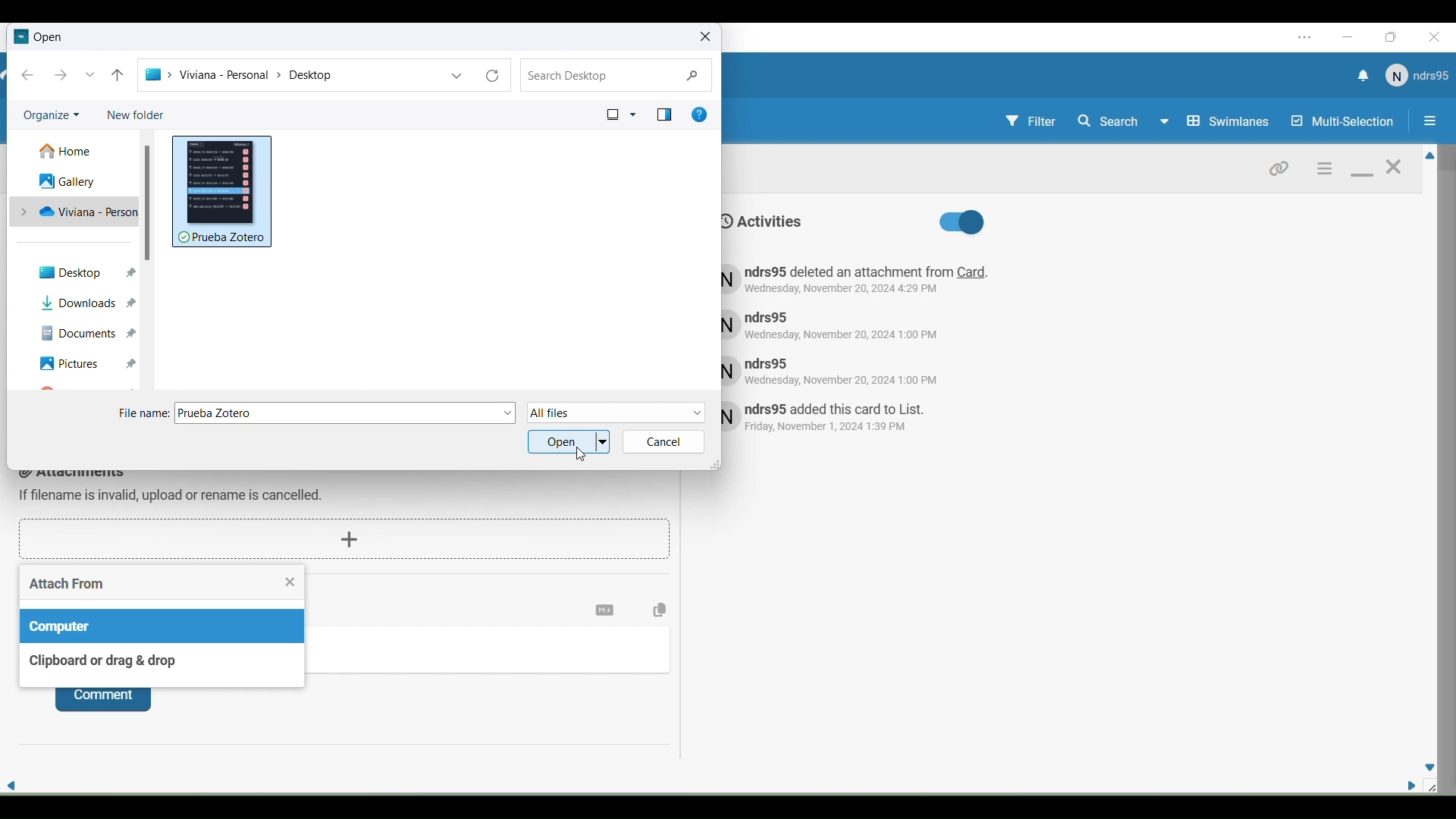 Image resolution: width=1456 pixels, height=819 pixels. I want to click on View, so click(663, 115).